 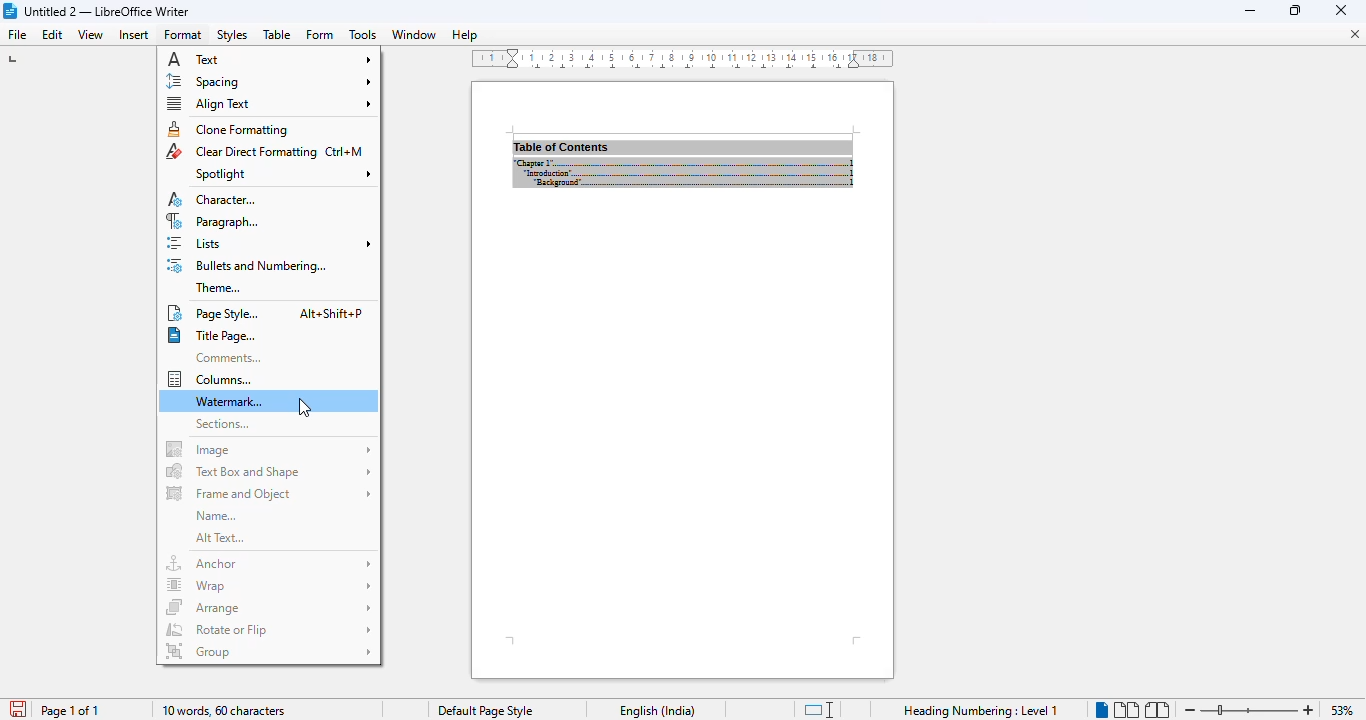 What do you see at coordinates (10, 11) in the screenshot?
I see `logo` at bounding box center [10, 11].